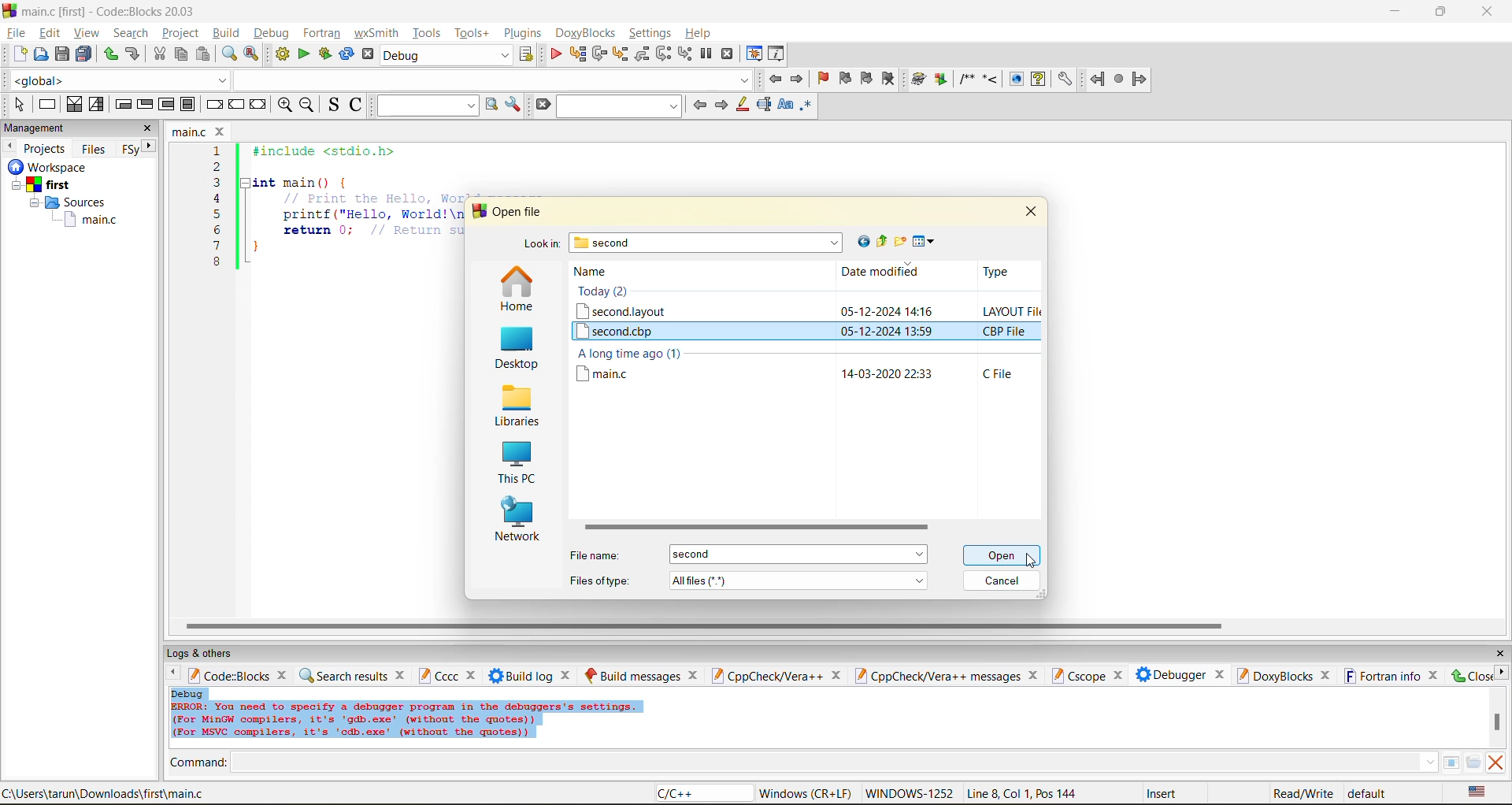 Image resolution: width=1512 pixels, height=805 pixels. Describe the element at coordinates (902, 241) in the screenshot. I see `create new folder` at that location.